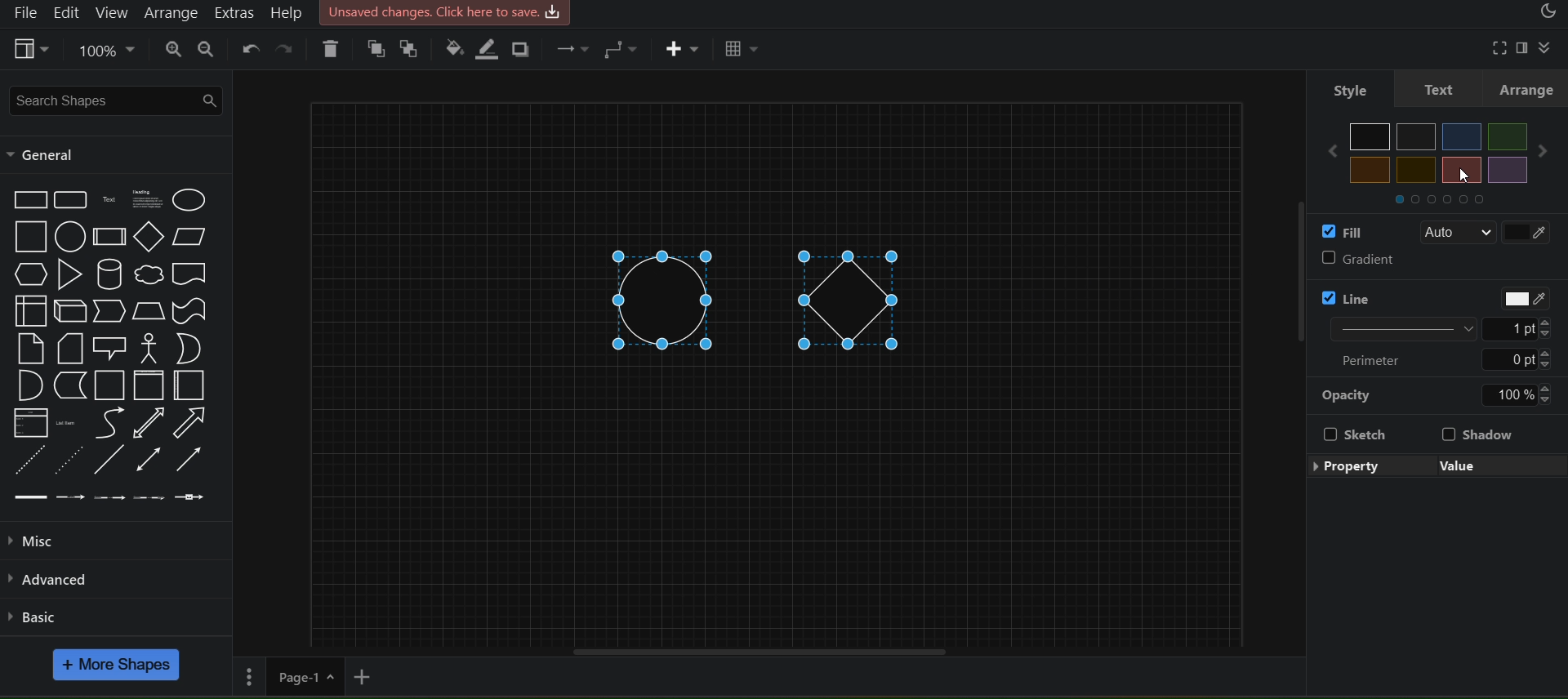 The width and height of the screenshot is (1568, 699). I want to click on opacity, so click(1431, 398).